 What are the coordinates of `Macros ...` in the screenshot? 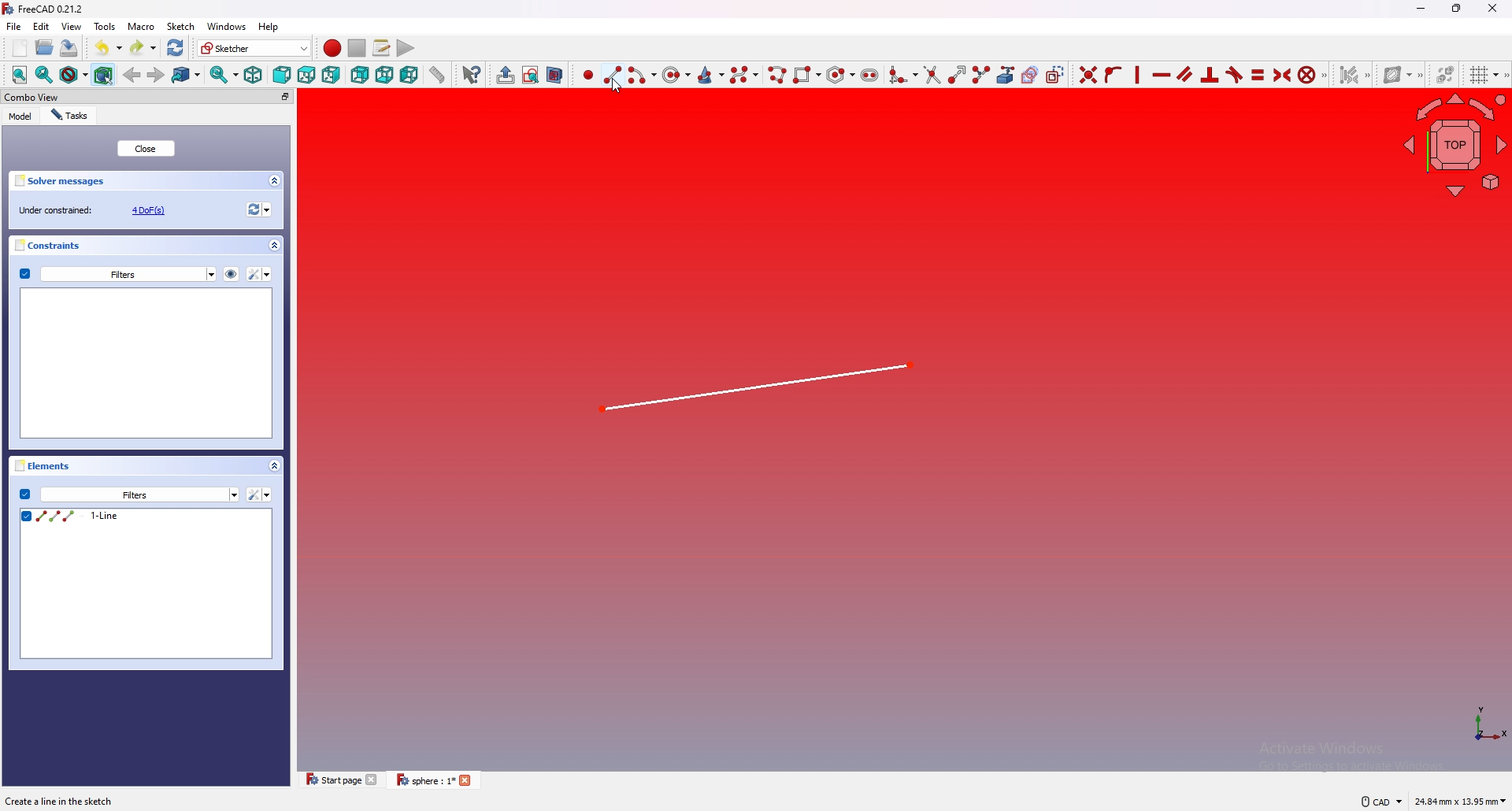 It's located at (380, 48).